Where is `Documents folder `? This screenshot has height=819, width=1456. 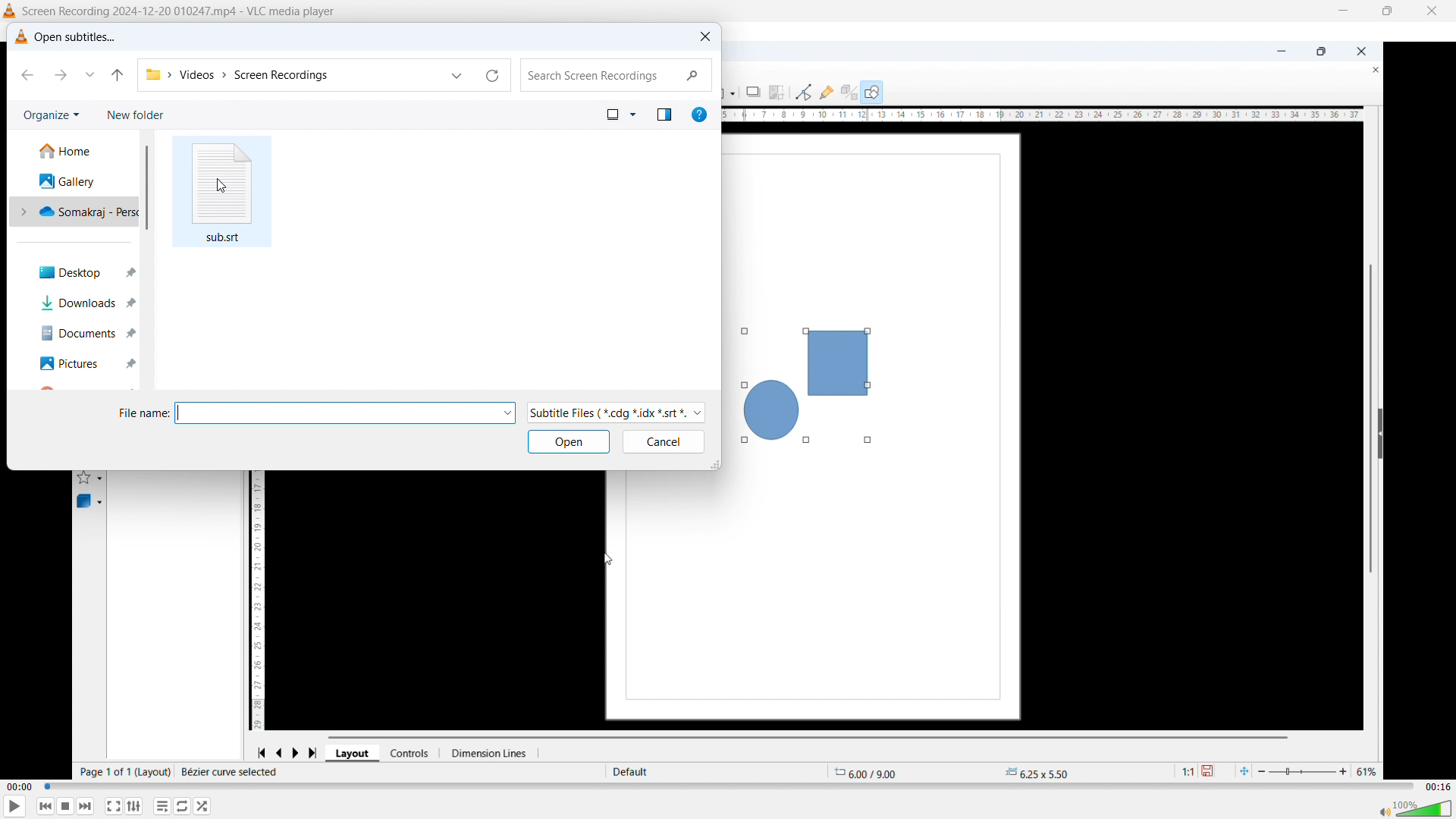
Documents folder  is located at coordinates (83, 334).